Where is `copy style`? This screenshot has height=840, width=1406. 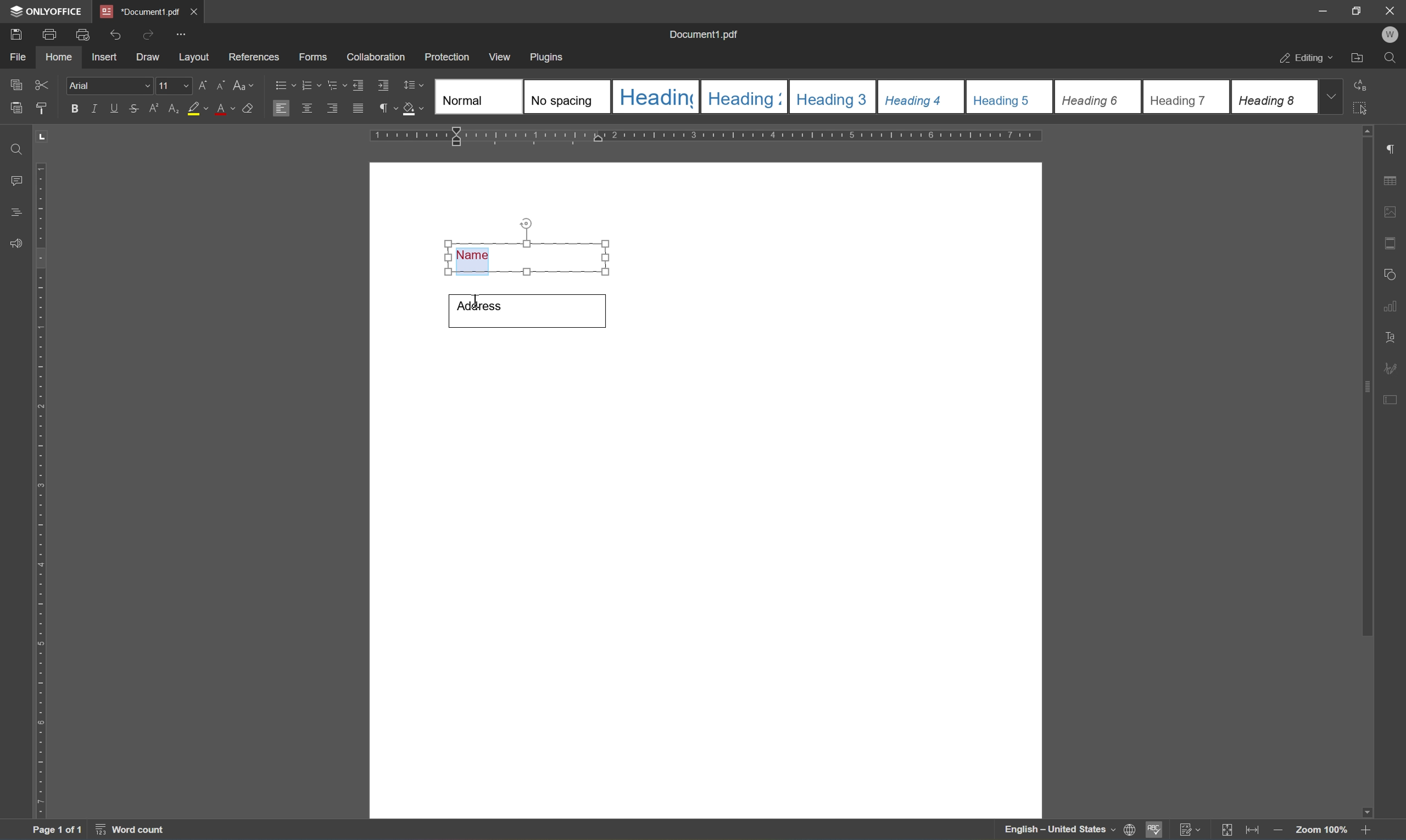
copy style is located at coordinates (41, 108).